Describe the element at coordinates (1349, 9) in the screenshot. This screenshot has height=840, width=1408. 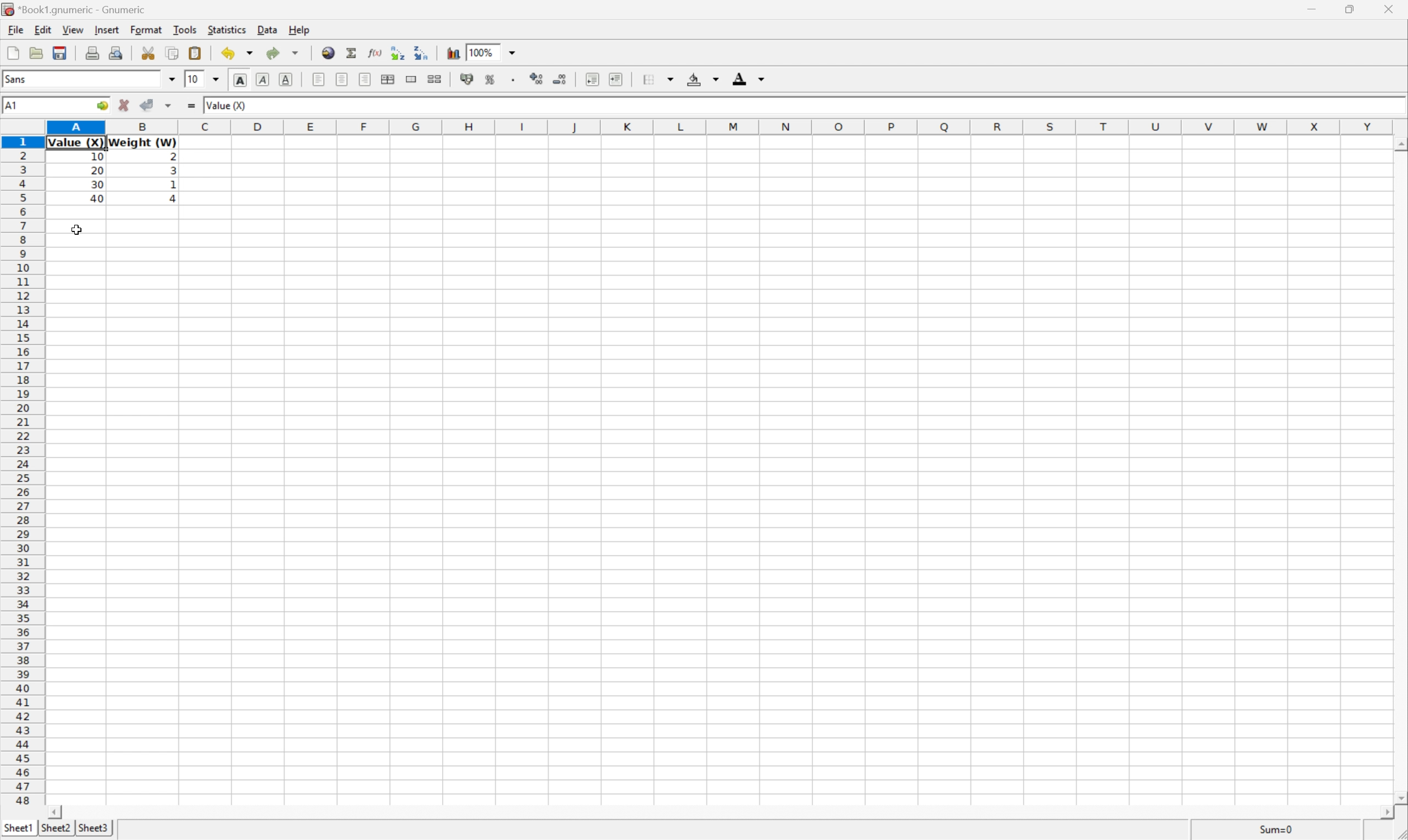
I see `Restore Down` at that location.